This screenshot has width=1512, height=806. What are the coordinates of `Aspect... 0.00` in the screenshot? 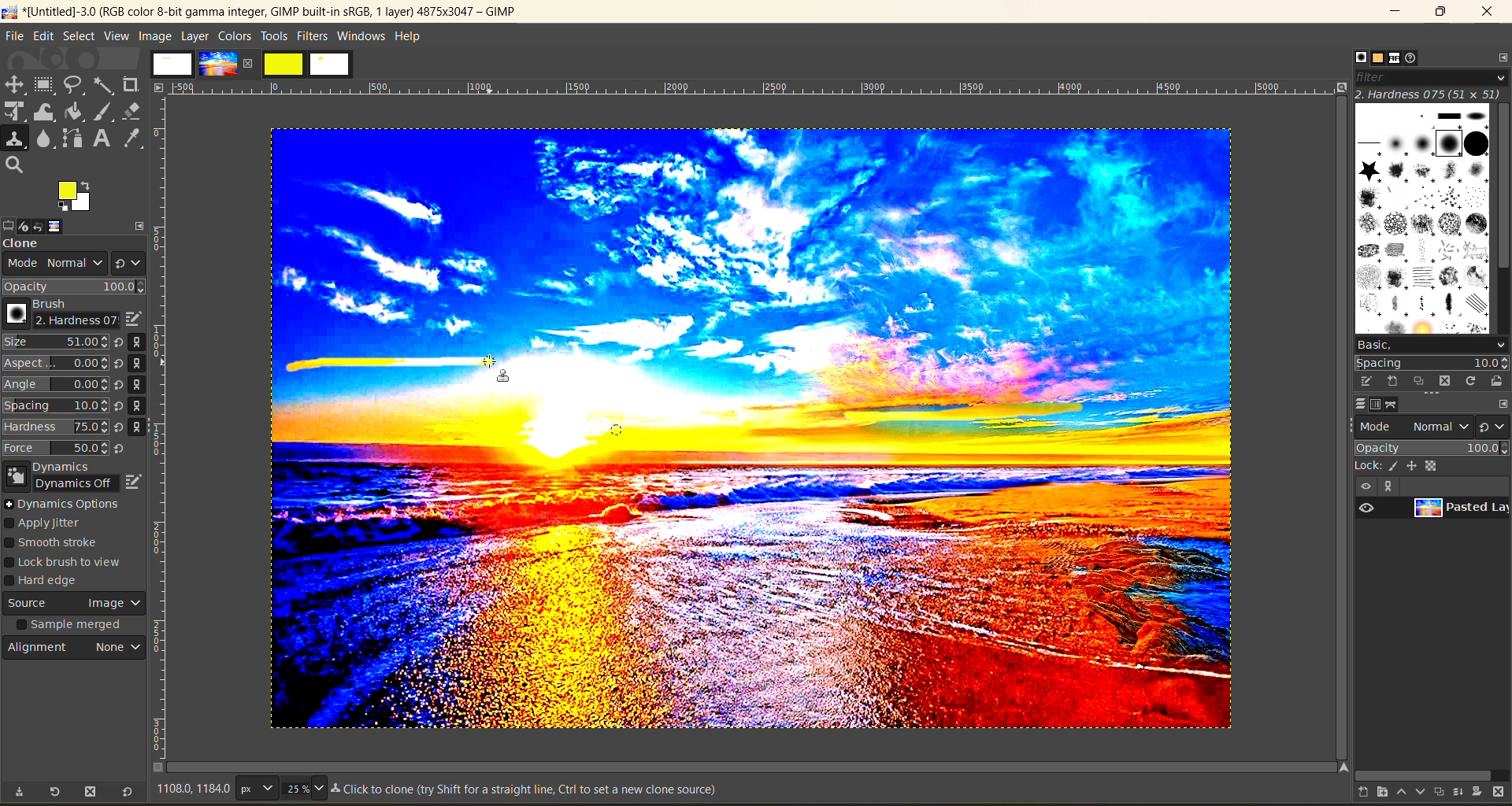 It's located at (56, 364).